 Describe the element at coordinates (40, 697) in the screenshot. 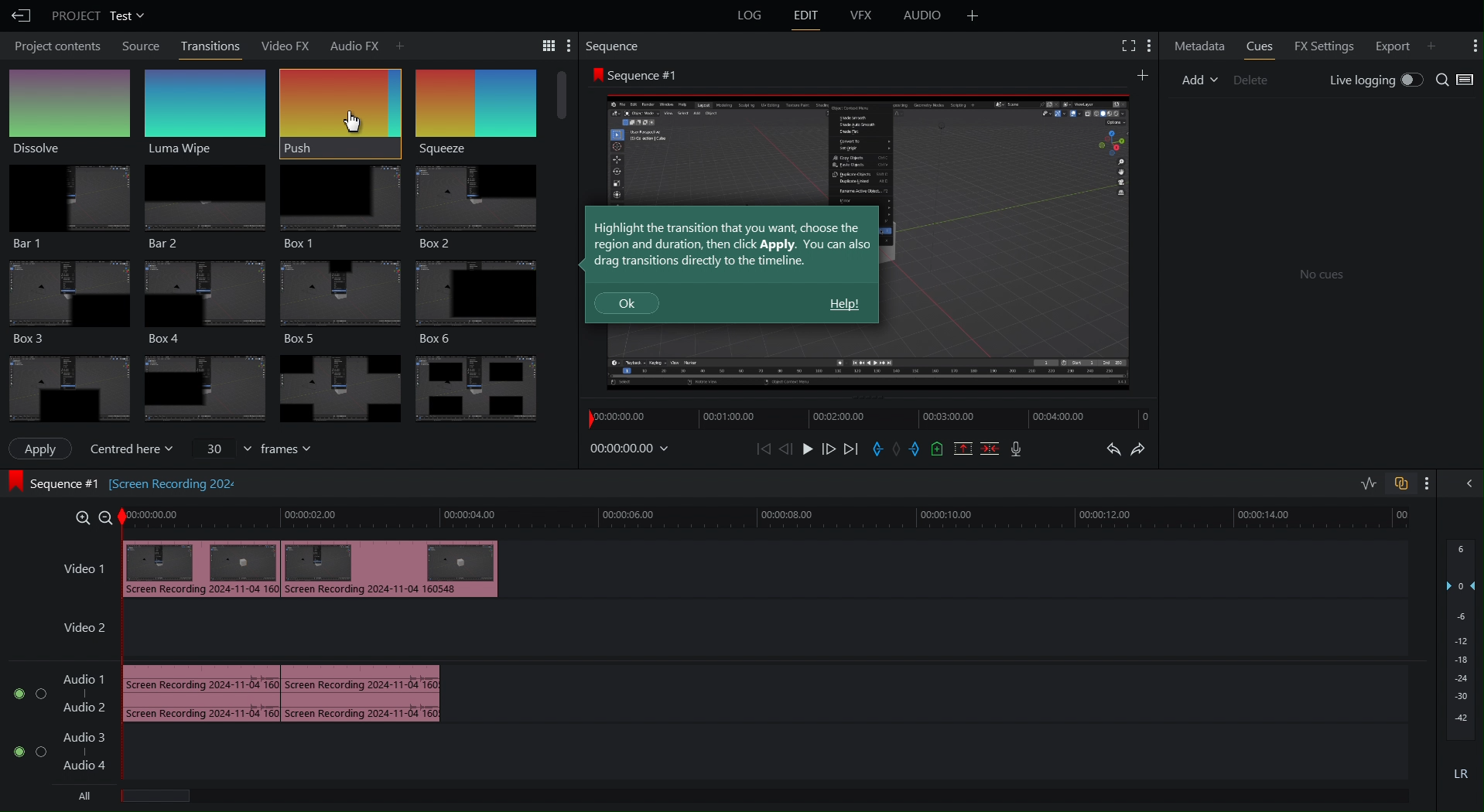

I see `toggl` at that location.